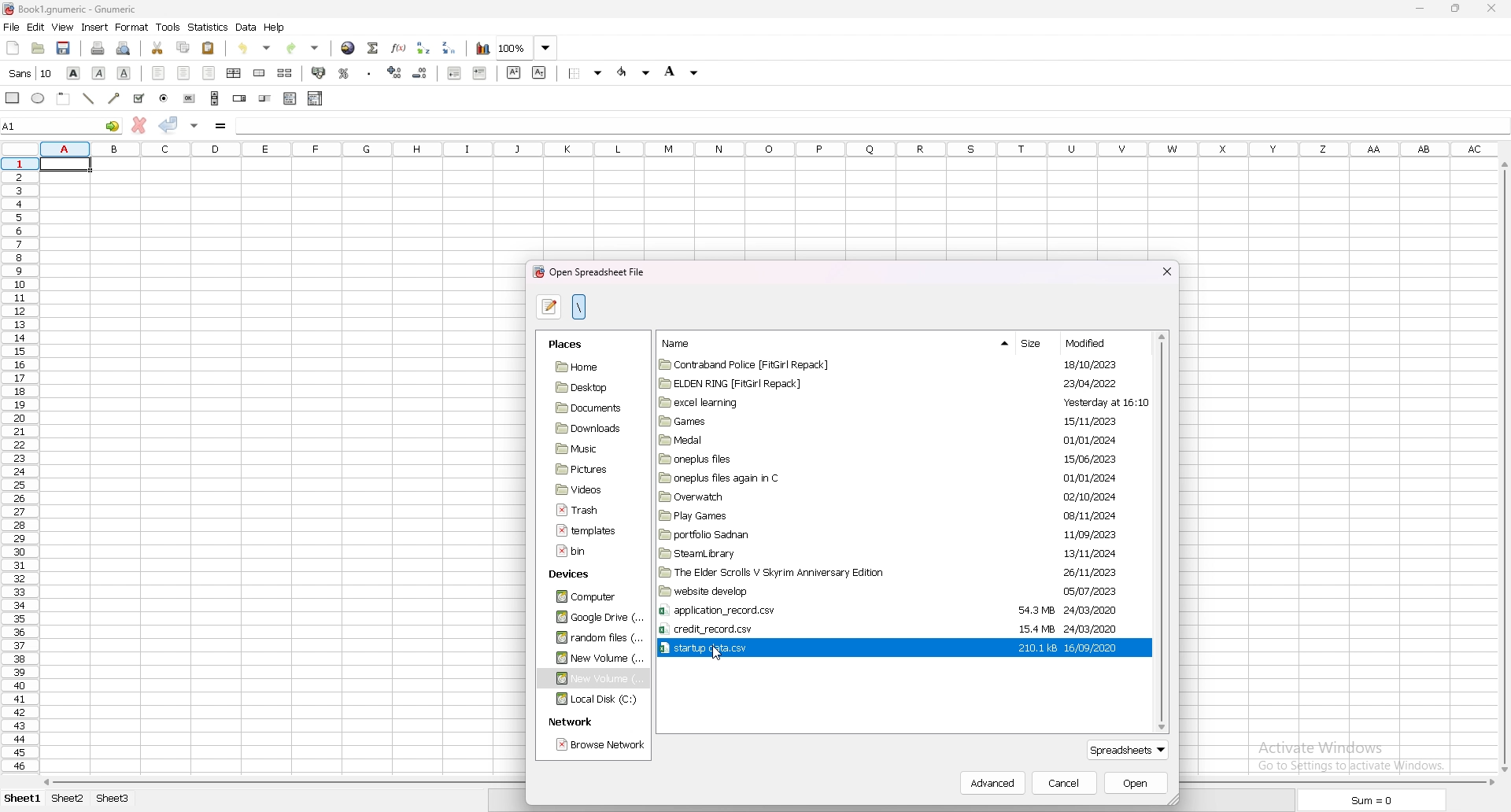  I want to click on Active Windows Go to Settings to activate windows, so click(1352, 756).